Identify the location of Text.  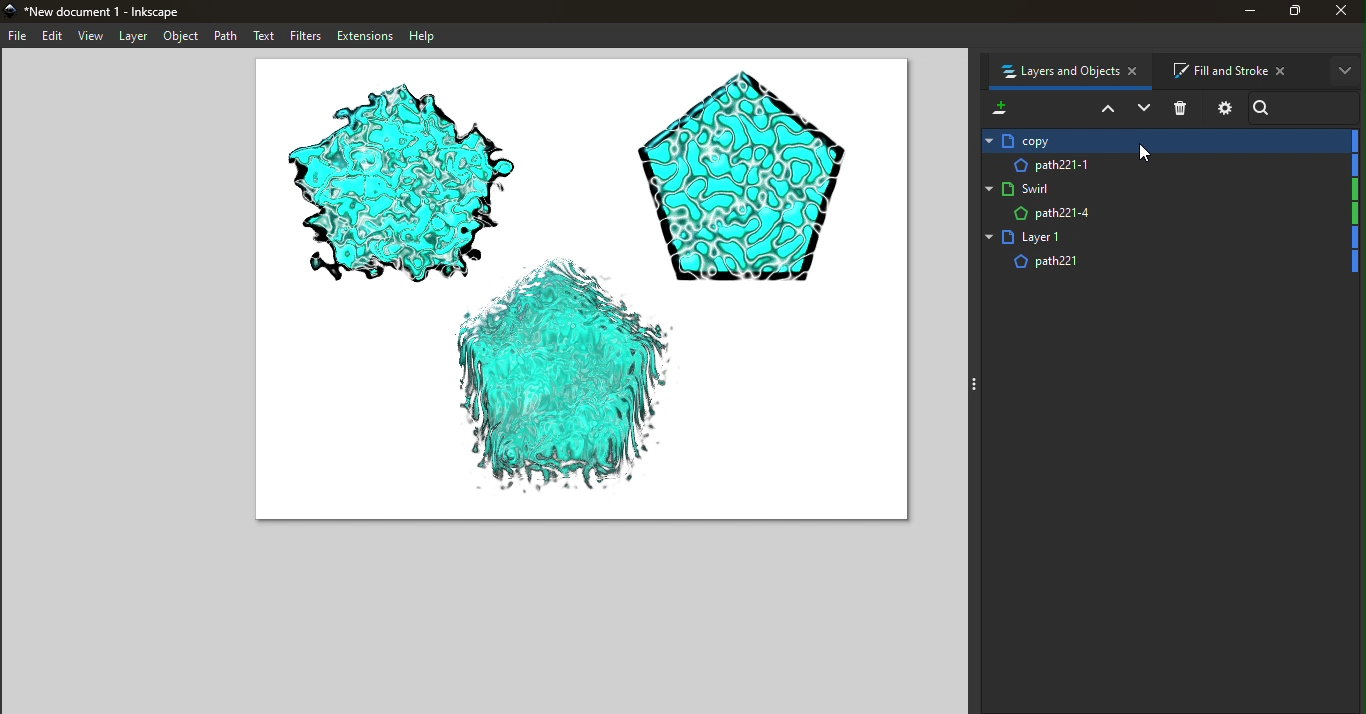
(264, 36).